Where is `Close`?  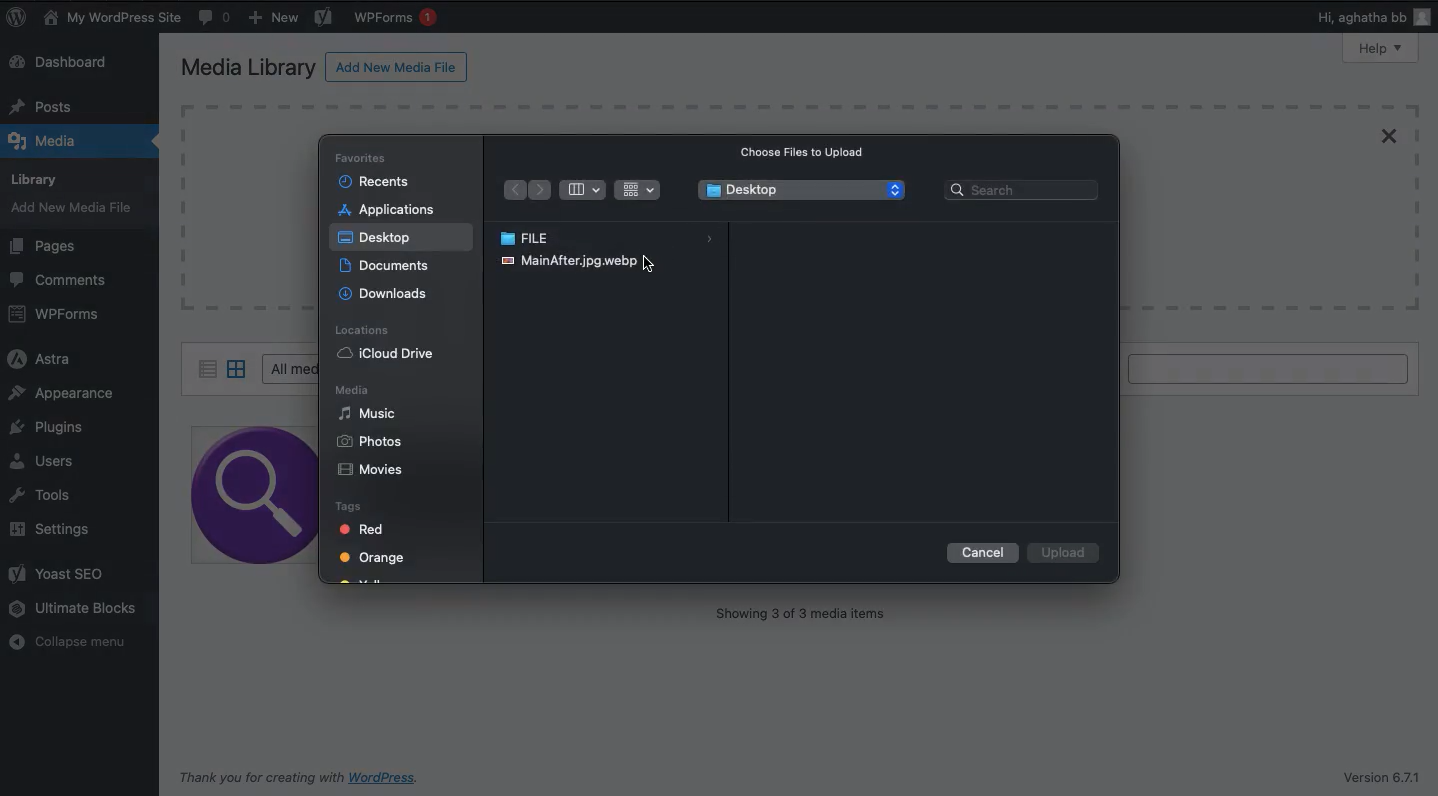 Close is located at coordinates (1393, 136).